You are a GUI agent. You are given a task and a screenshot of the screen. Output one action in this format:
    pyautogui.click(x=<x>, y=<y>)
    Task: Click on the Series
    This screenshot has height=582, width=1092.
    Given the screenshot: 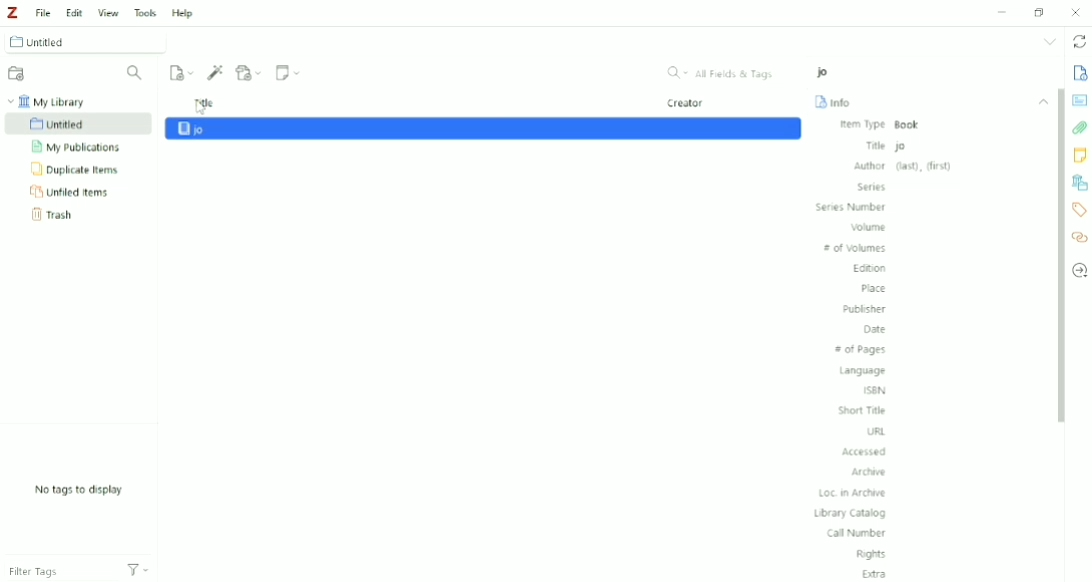 What is the action you would take?
    pyautogui.click(x=874, y=187)
    